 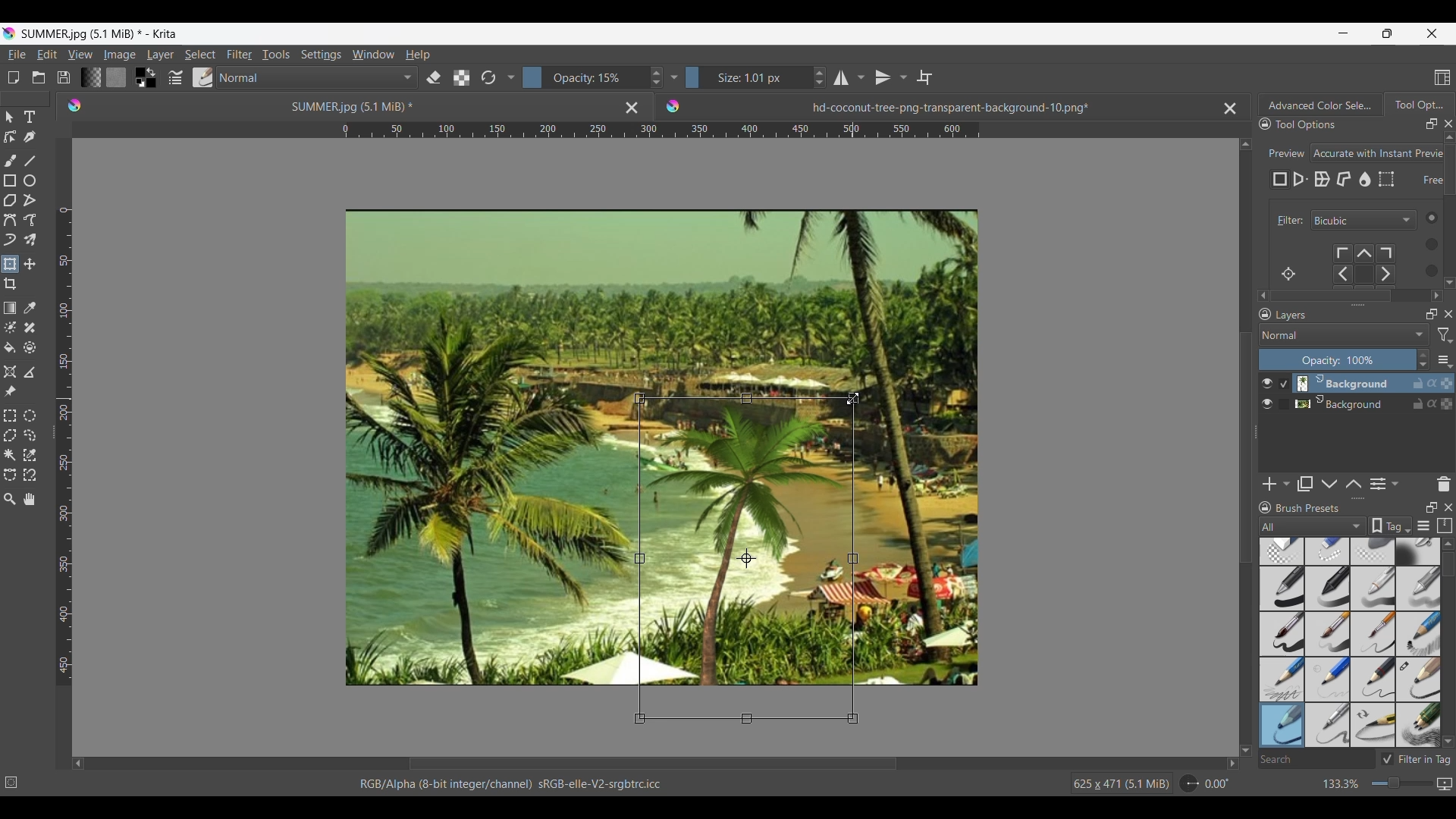 What do you see at coordinates (1268, 404) in the screenshot?
I see `Show/Hide layer` at bounding box center [1268, 404].